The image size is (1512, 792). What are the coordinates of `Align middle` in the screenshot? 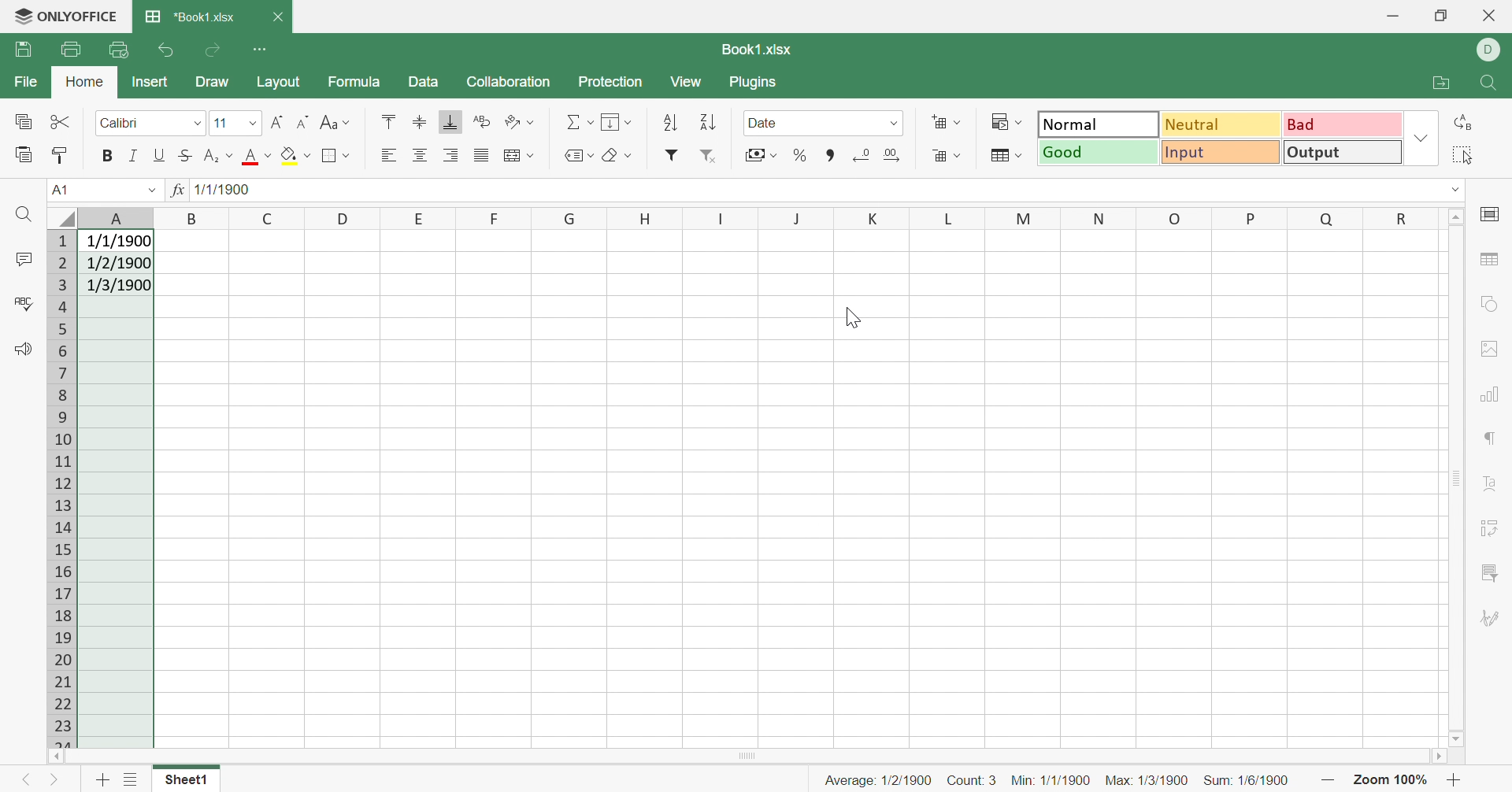 It's located at (421, 124).